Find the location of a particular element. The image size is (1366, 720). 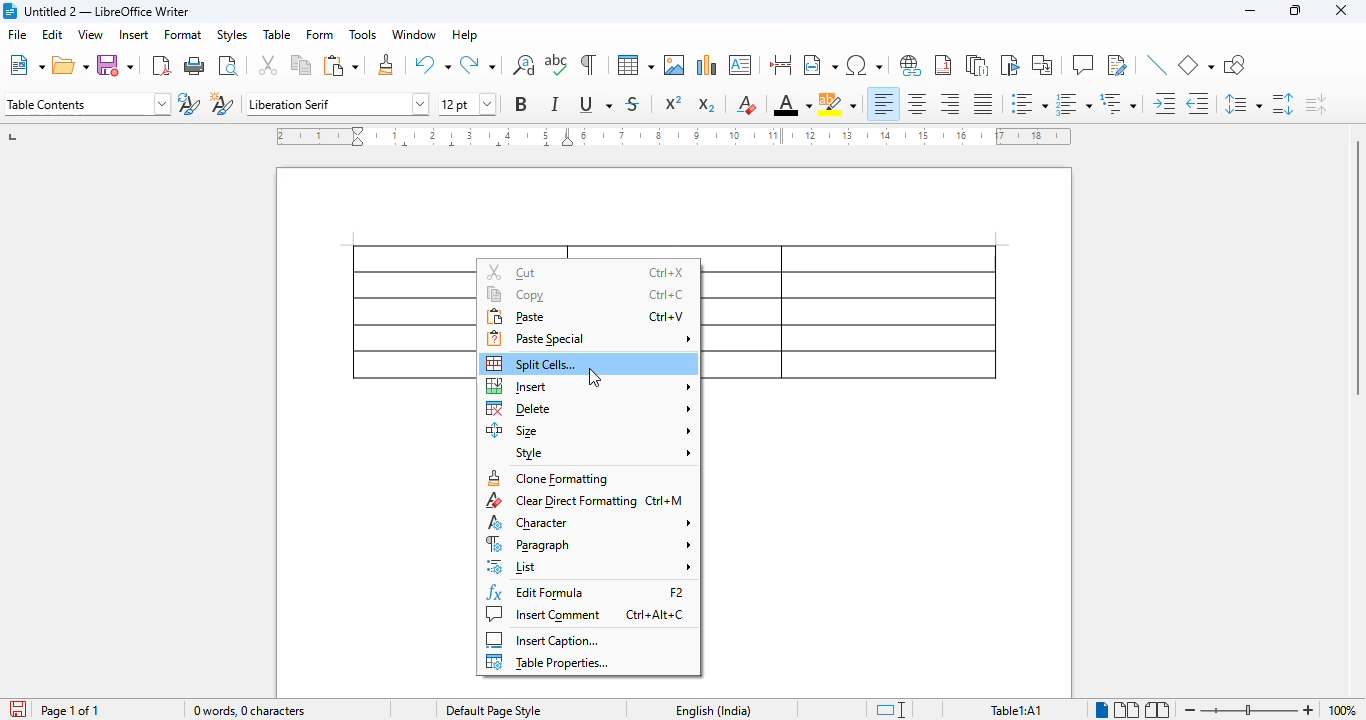

form is located at coordinates (320, 34).